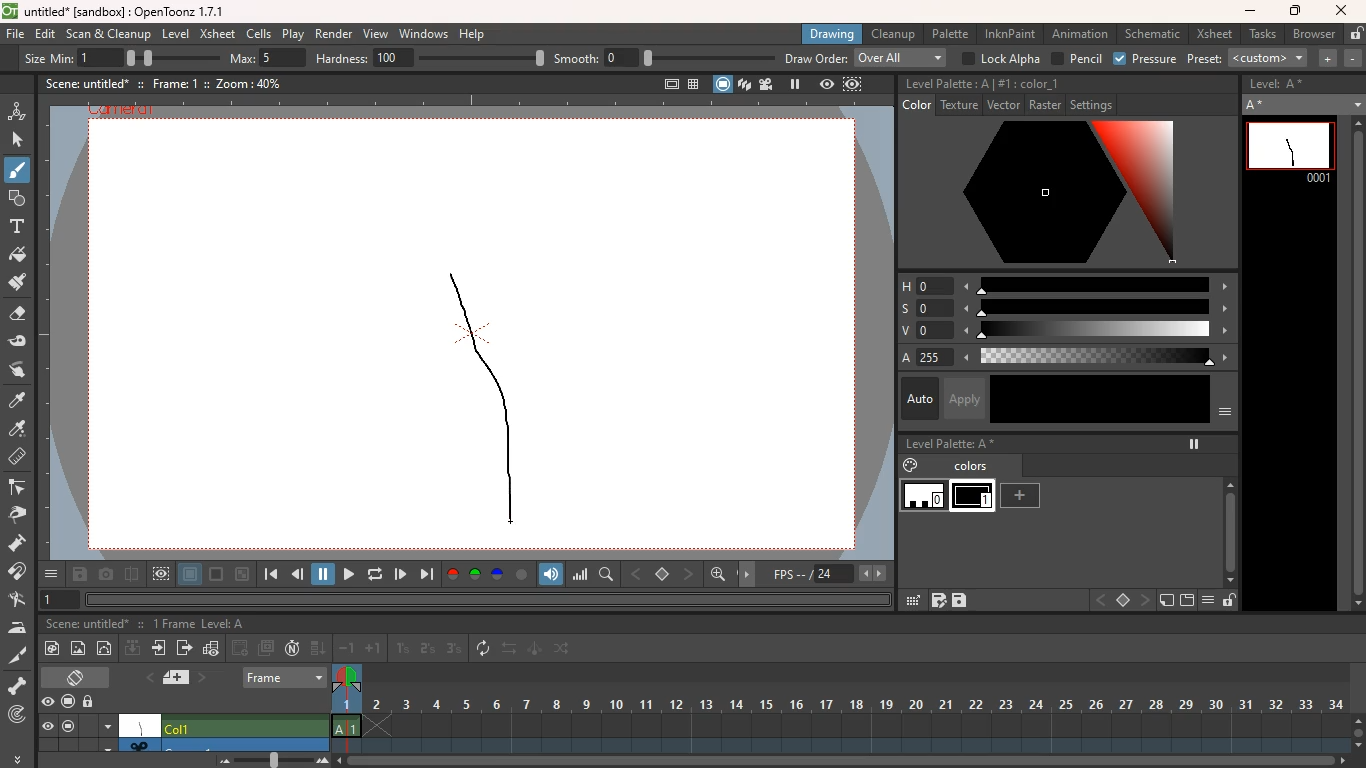 This screenshot has width=1366, height=768. Describe the element at coordinates (750, 573) in the screenshot. I see `move` at that location.